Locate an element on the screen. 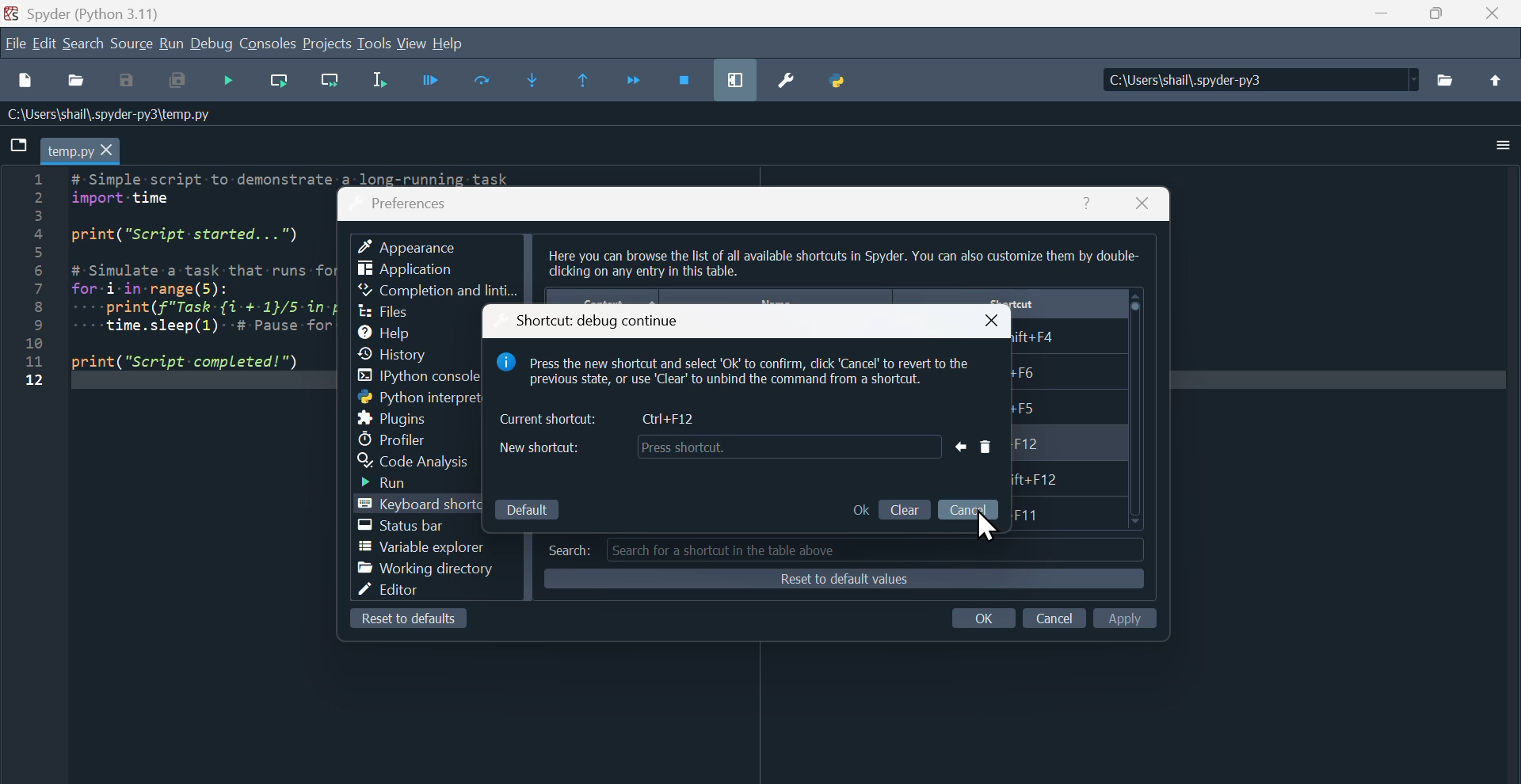 Image resolution: width=1521 pixels, height=784 pixels. working Directory is located at coordinates (426, 571).